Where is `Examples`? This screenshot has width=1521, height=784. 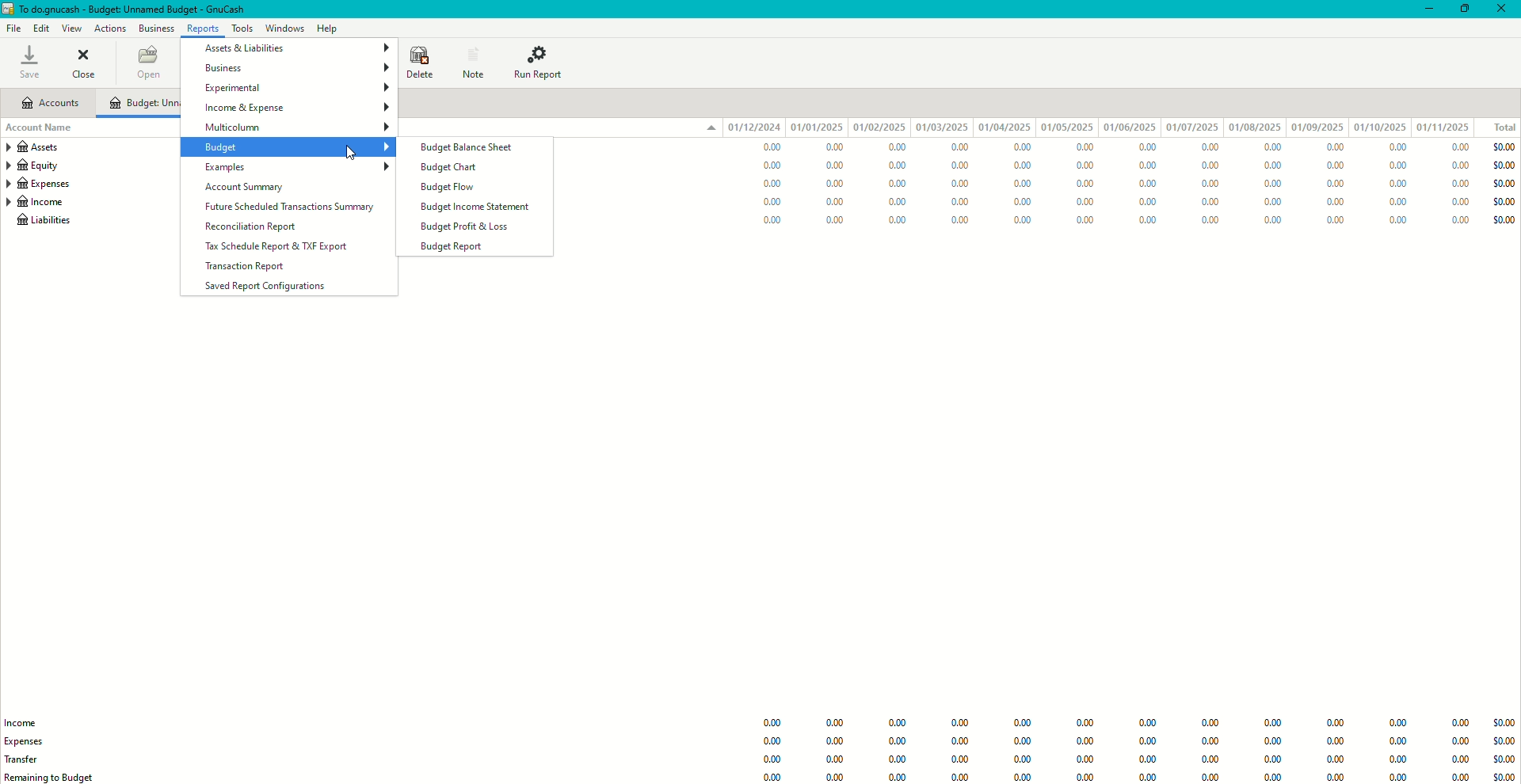 Examples is located at coordinates (295, 167).